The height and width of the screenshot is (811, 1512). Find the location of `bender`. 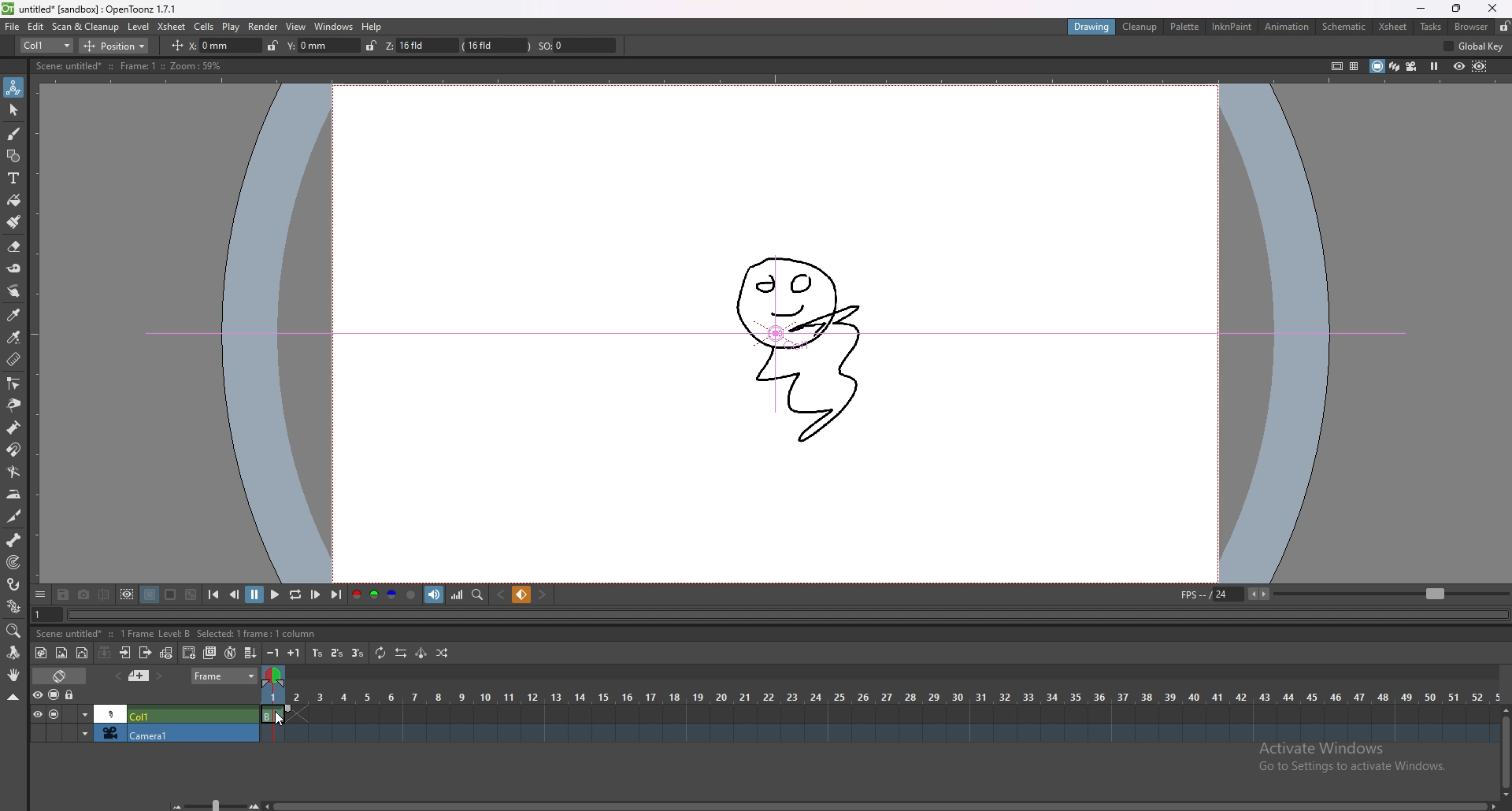

bender is located at coordinates (13, 471).